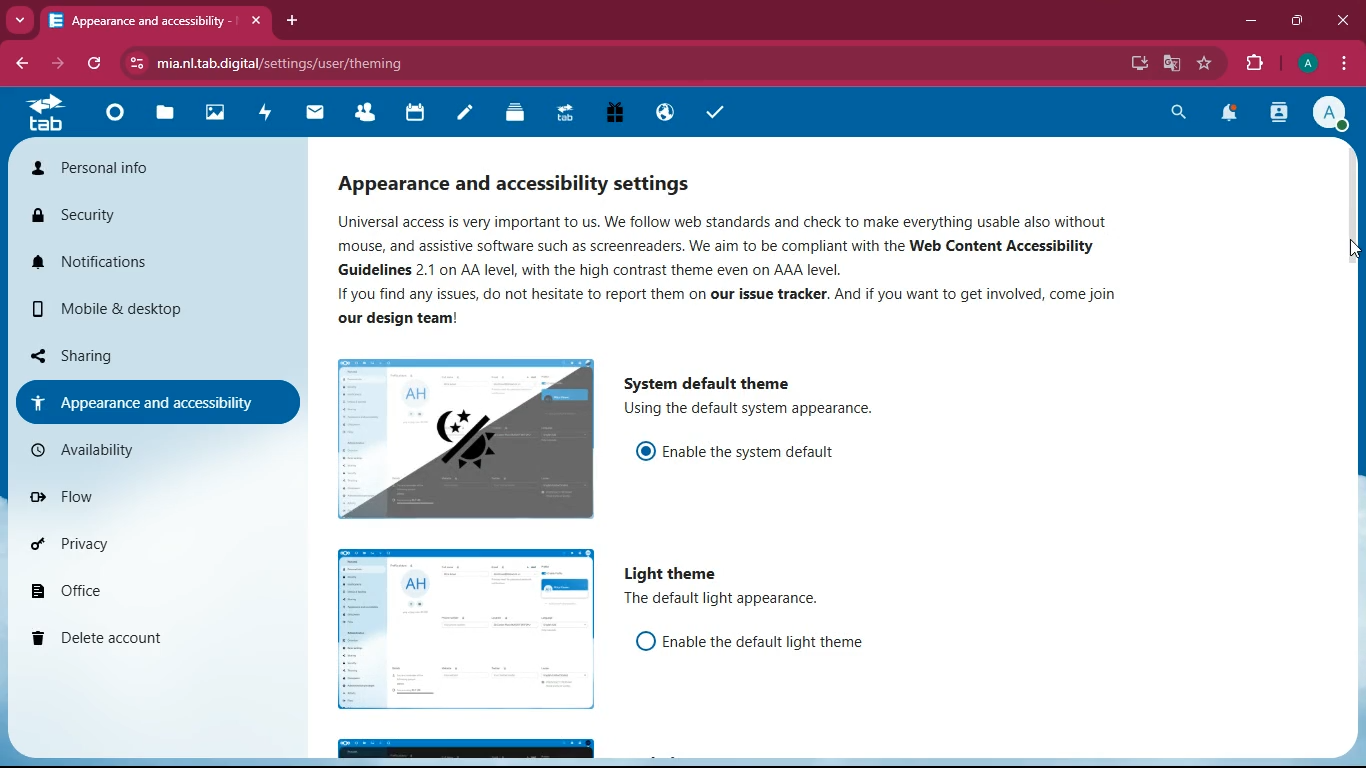 This screenshot has height=768, width=1366. Describe the element at coordinates (668, 113) in the screenshot. I see `public` at that location.